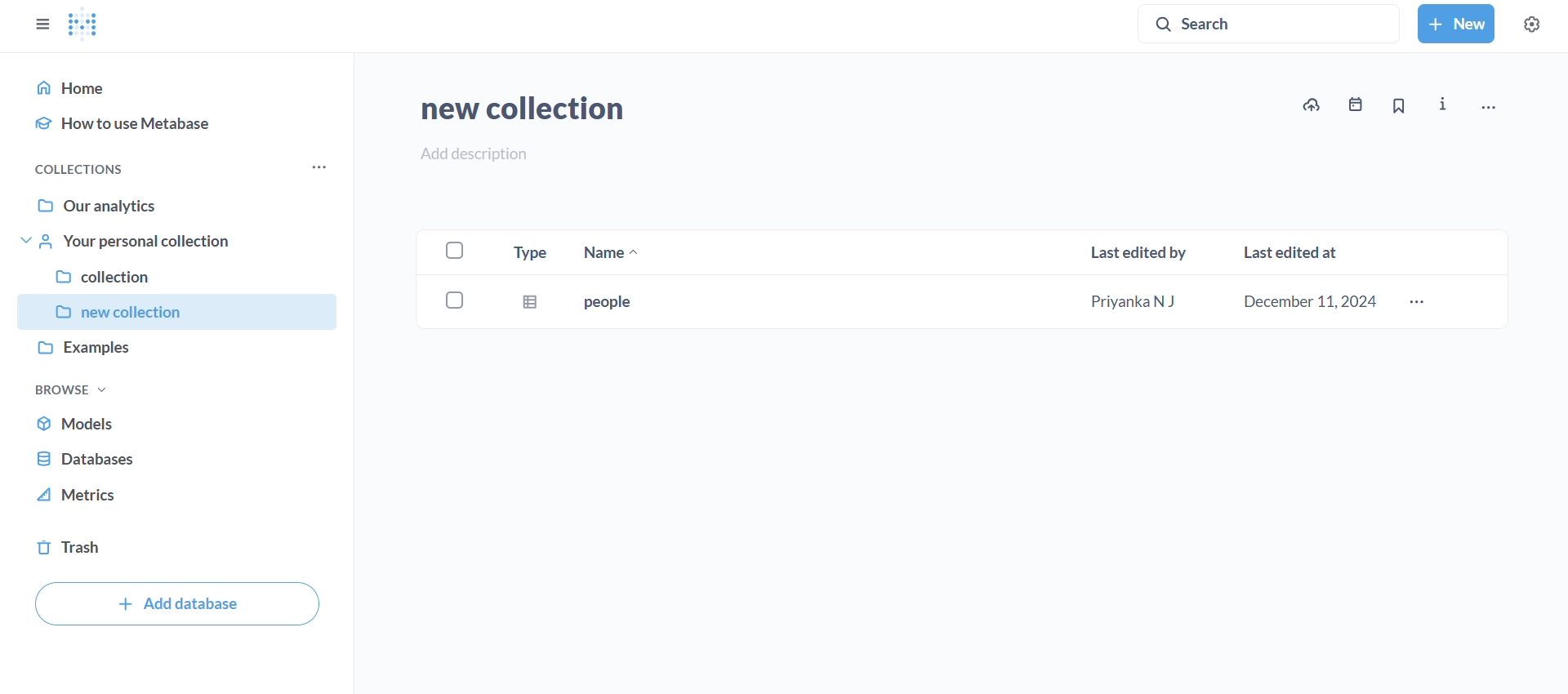 The image size is (1568, 694). Describe the element at coordinates (179, 601) in the screenshot. I see `add database` at that location.